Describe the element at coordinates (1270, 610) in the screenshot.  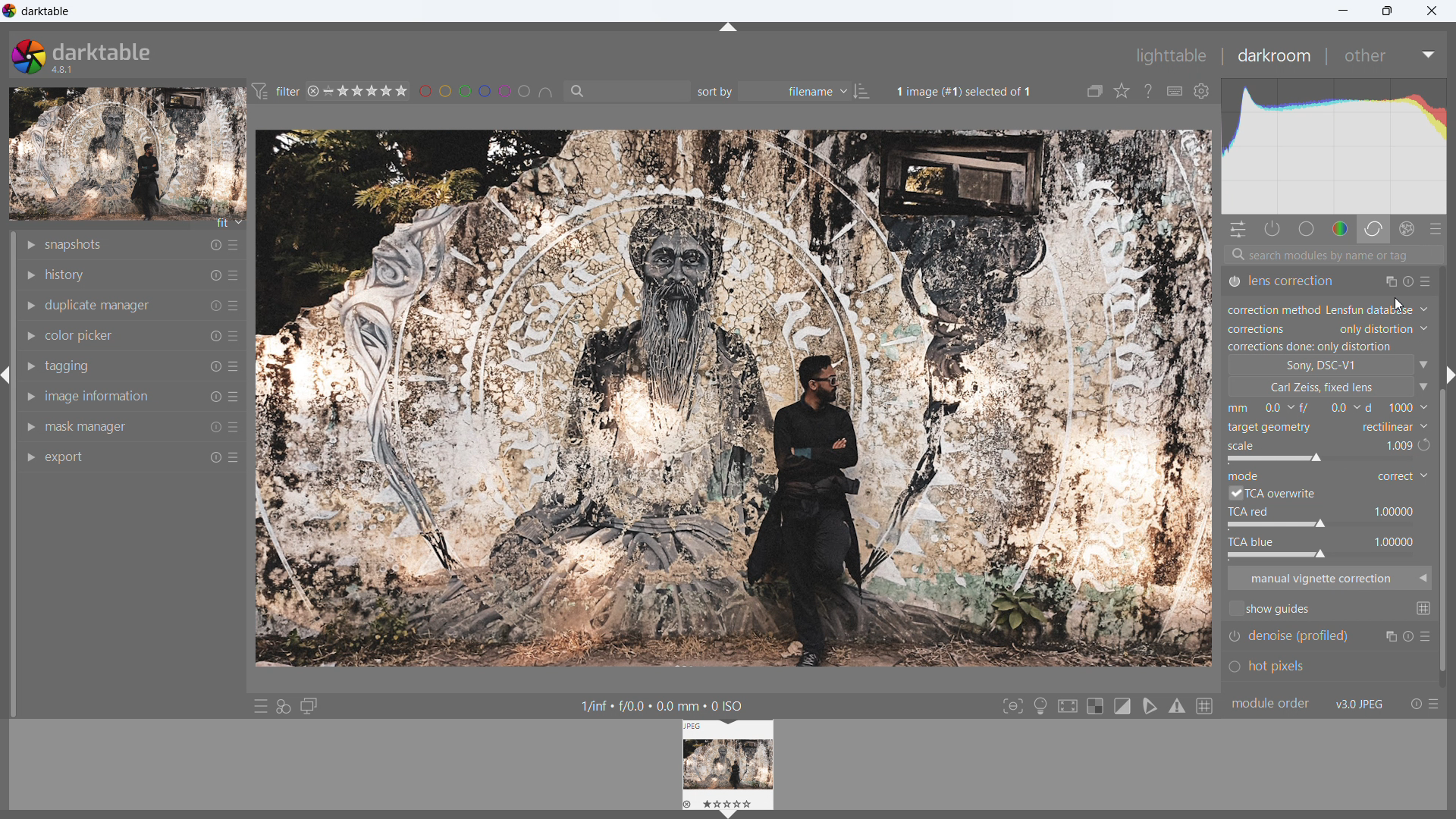
I see `show guides` at that location.